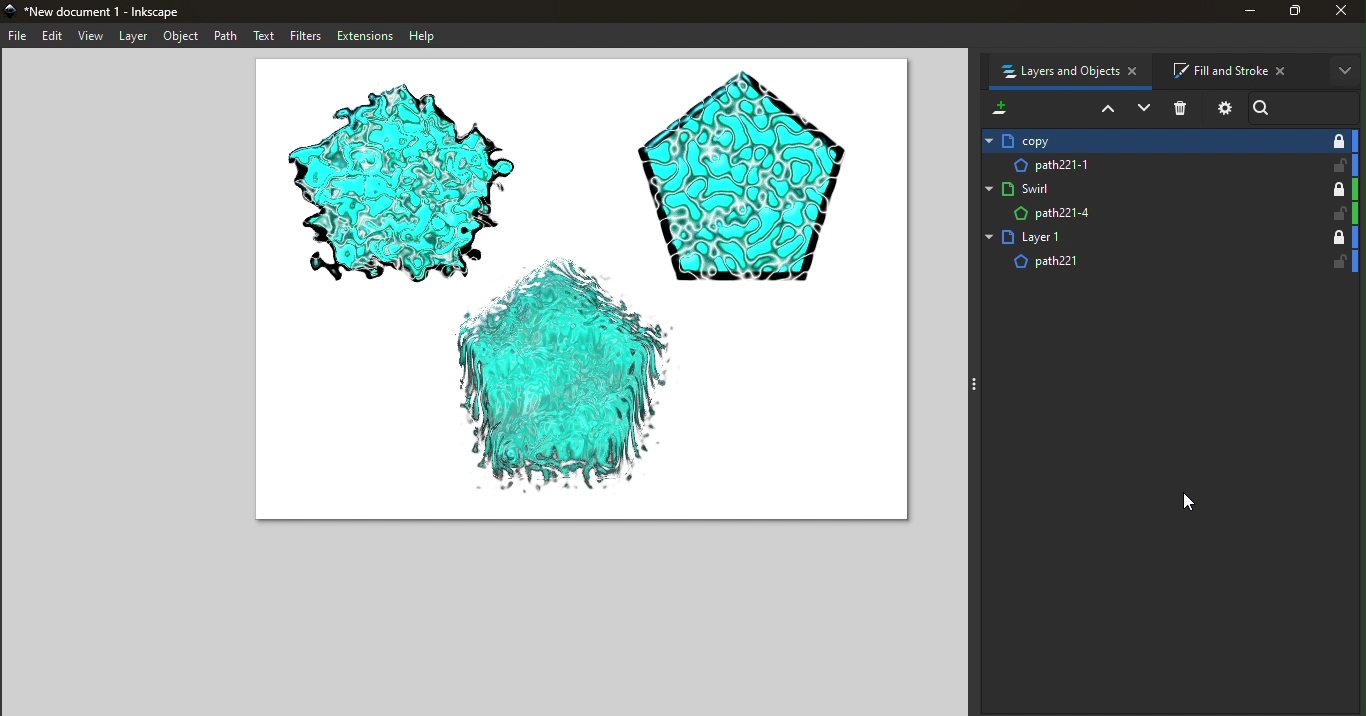  Describe the element at coordinates (1240, 14) in the screenshot. I see `Minimize` at that location.